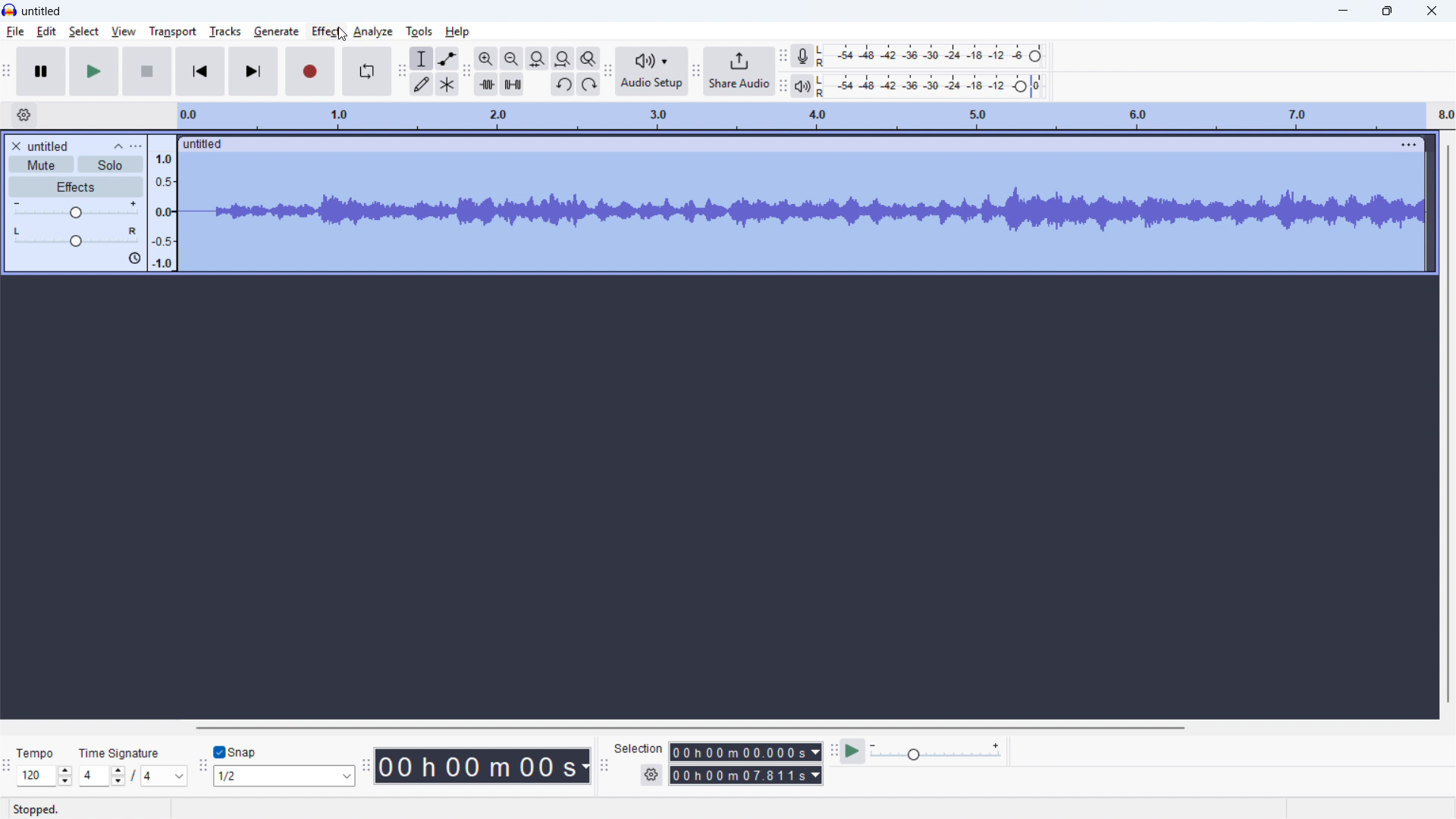 The height and width of the screenshot is (819, 1456). Describe the element at coordinates (935, 752) in the screenshot. I see `Playback speed ` at that location.